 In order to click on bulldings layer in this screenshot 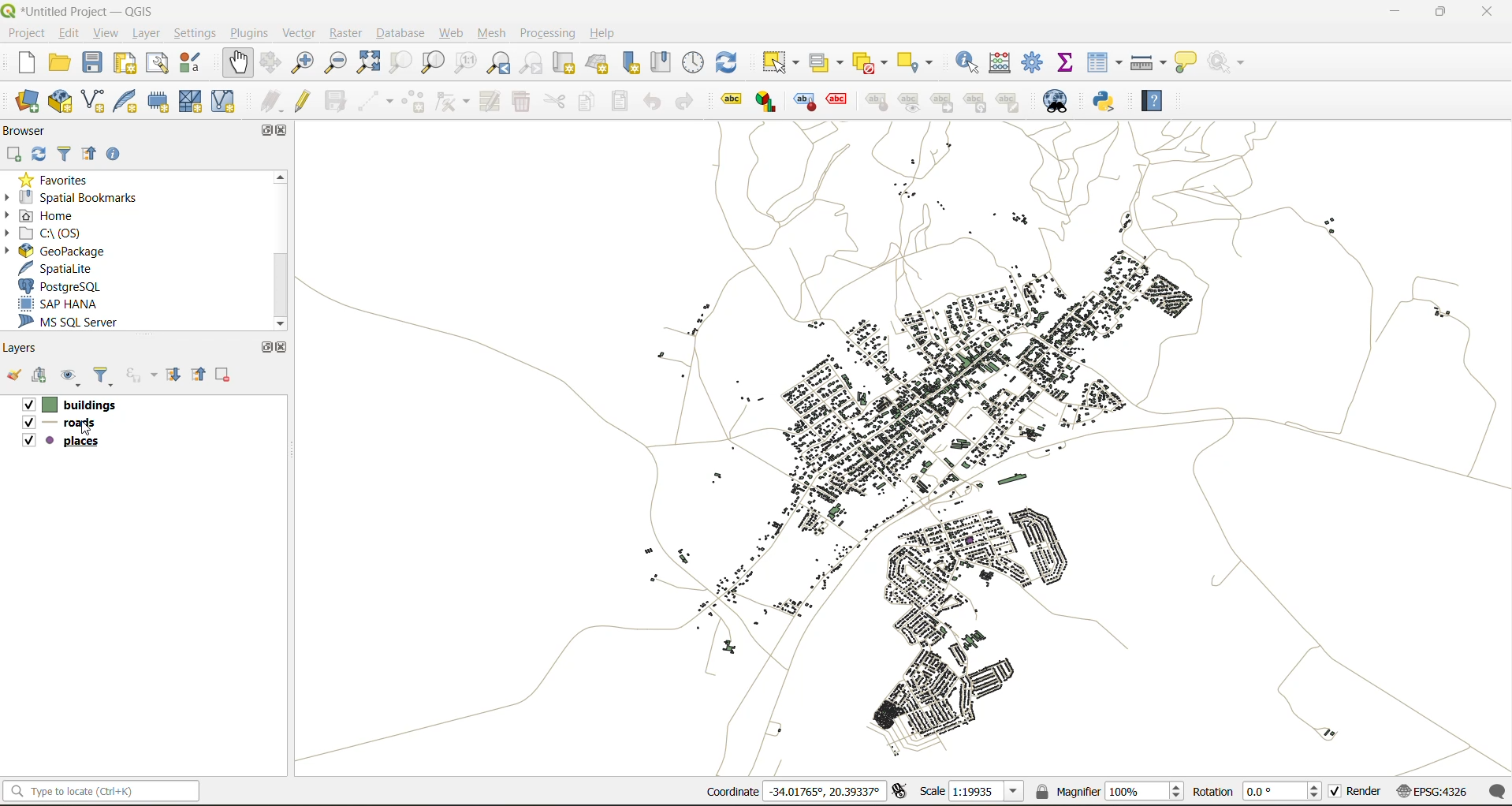, I will do `click(80, 403)`.